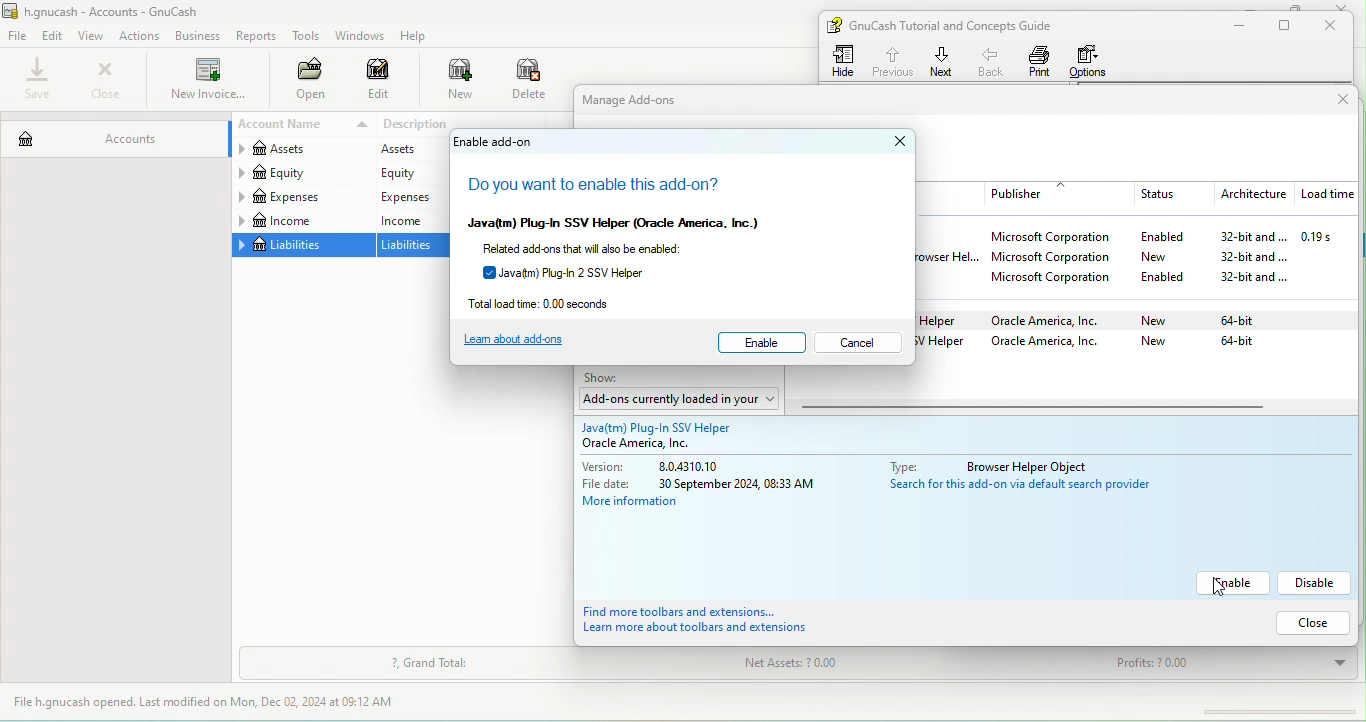  I want to click on architecture, so click(1251, 195).